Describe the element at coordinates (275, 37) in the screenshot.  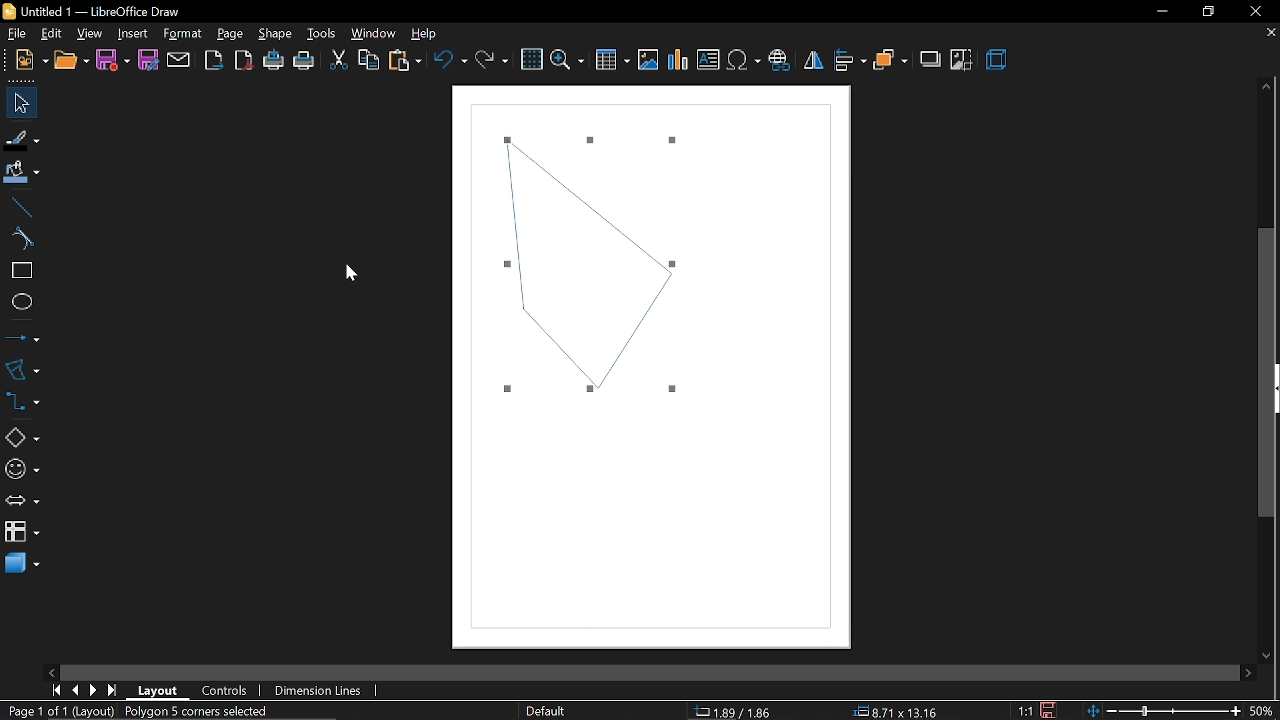
I see `shape` at that location.